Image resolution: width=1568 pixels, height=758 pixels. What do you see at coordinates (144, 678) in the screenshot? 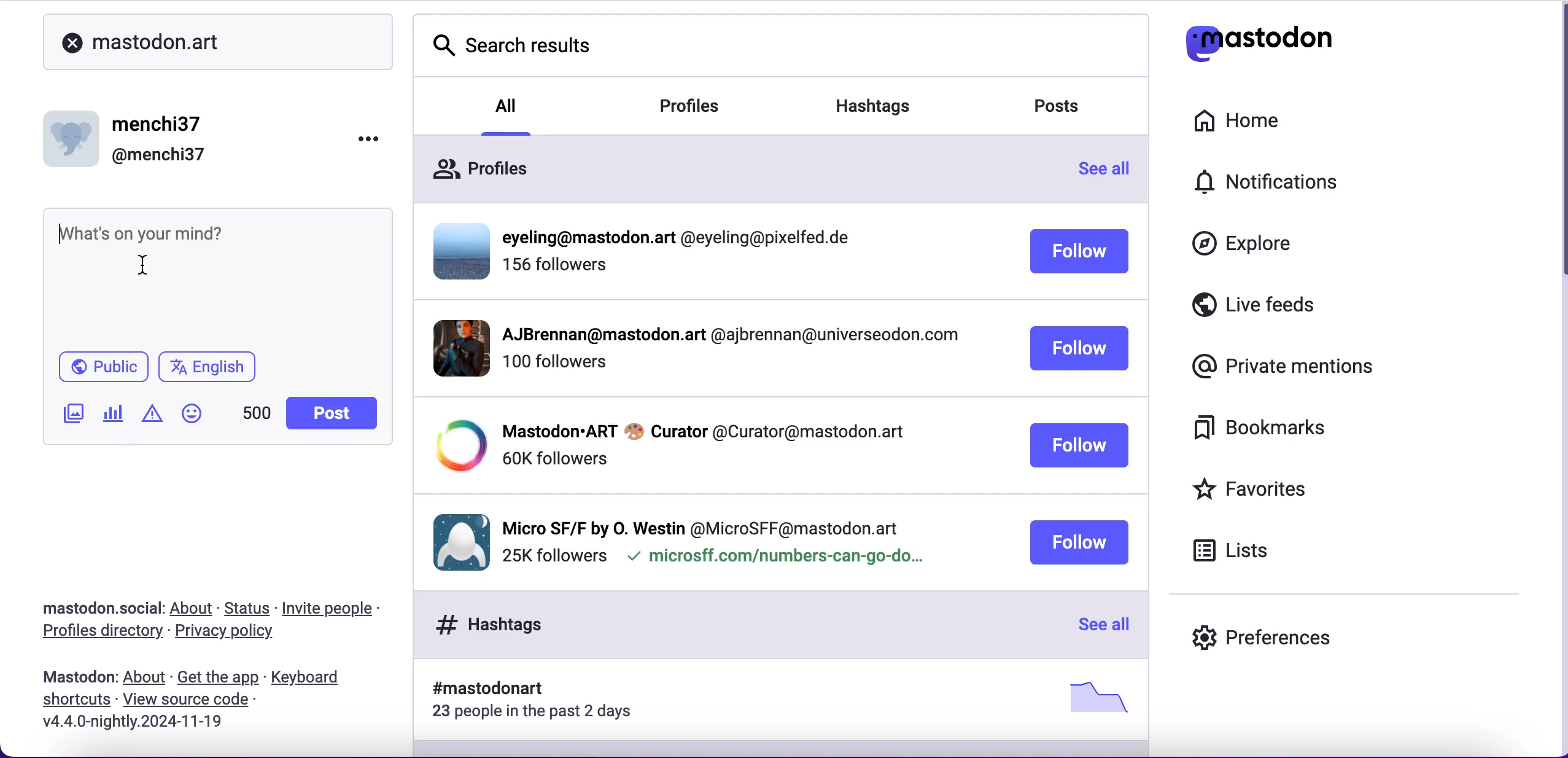
I see `about` at bounding box center [144, 678].